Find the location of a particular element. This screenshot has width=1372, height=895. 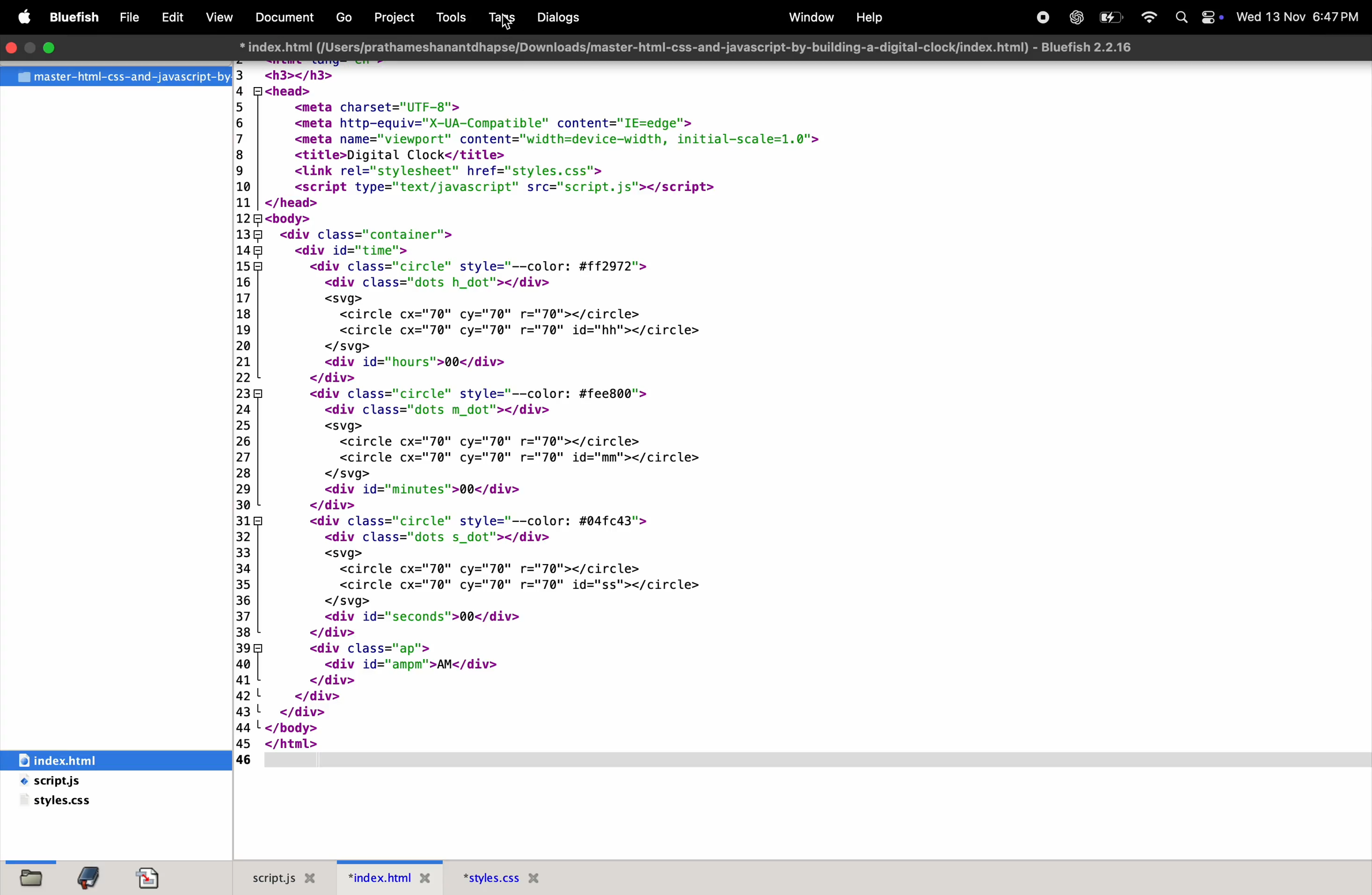

Style.css is located at coordinates (488, 878).